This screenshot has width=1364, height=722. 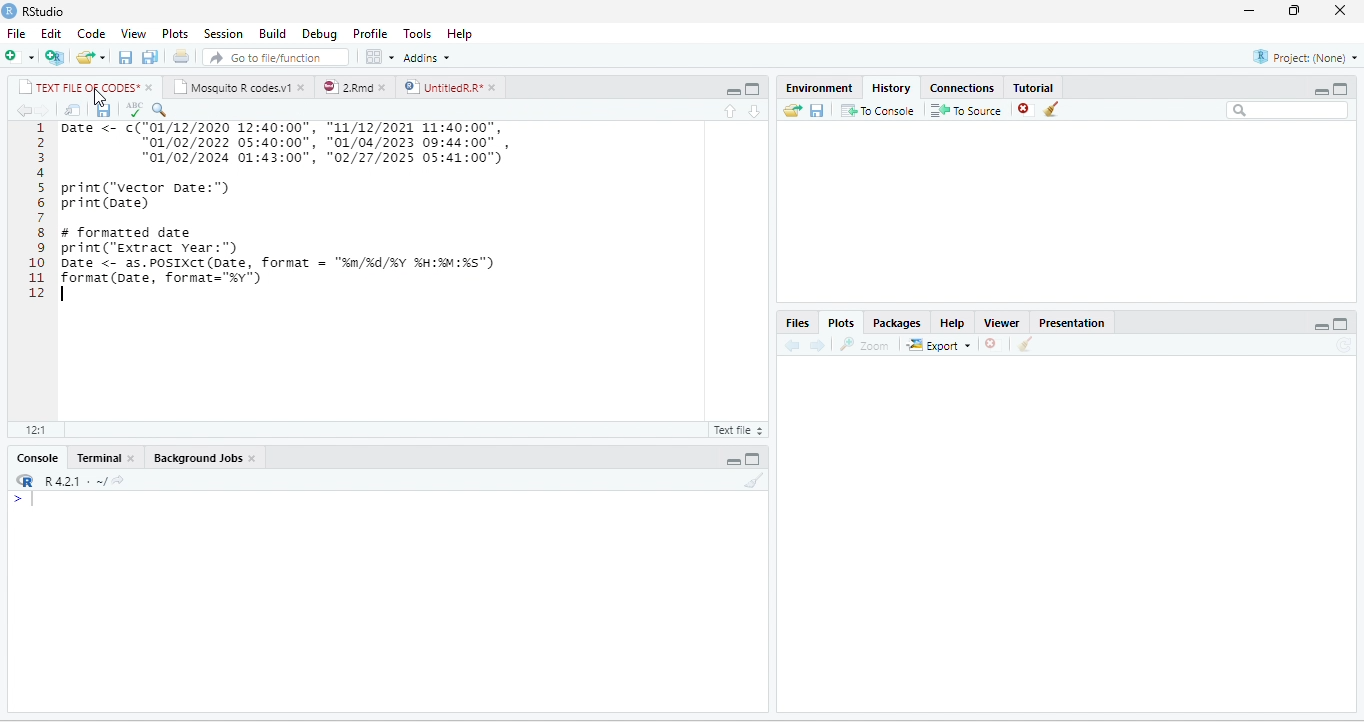 I want to click on maximize, so click(x=1341, y=324).